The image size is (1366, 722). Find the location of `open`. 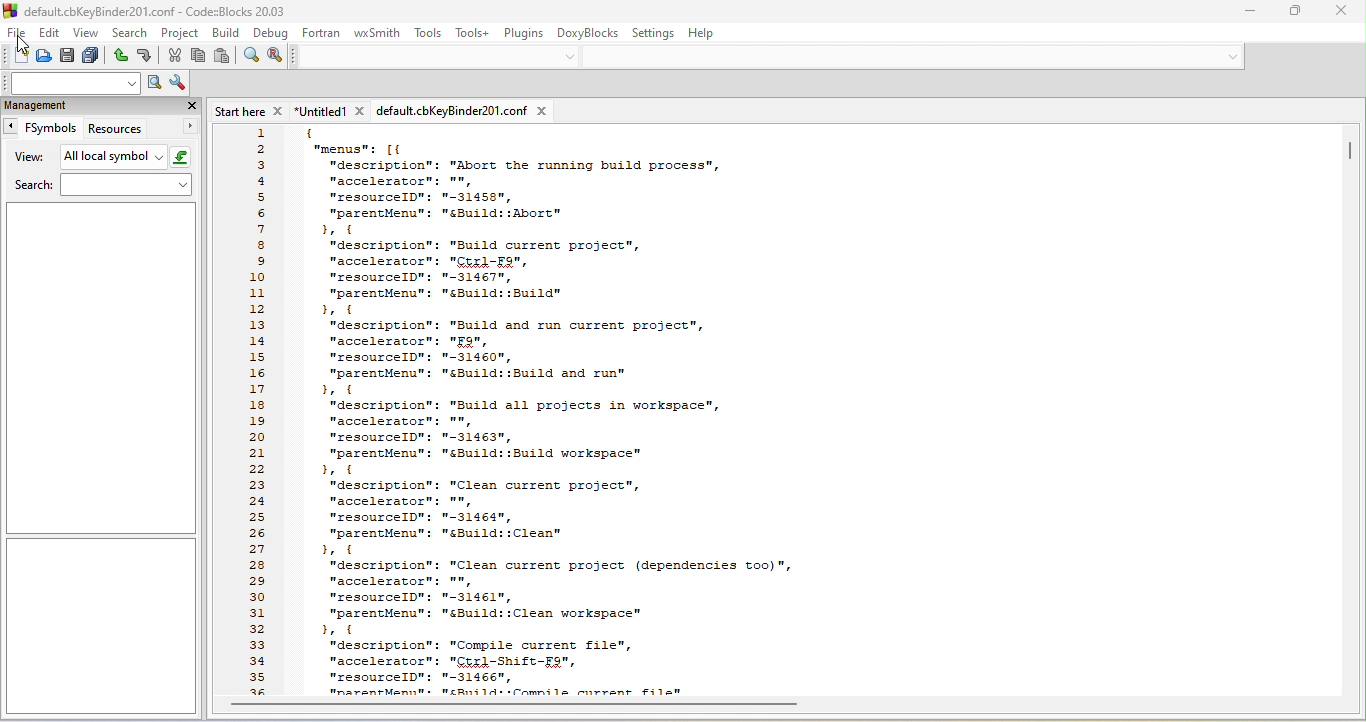

open is located at coordinates (44, 56).